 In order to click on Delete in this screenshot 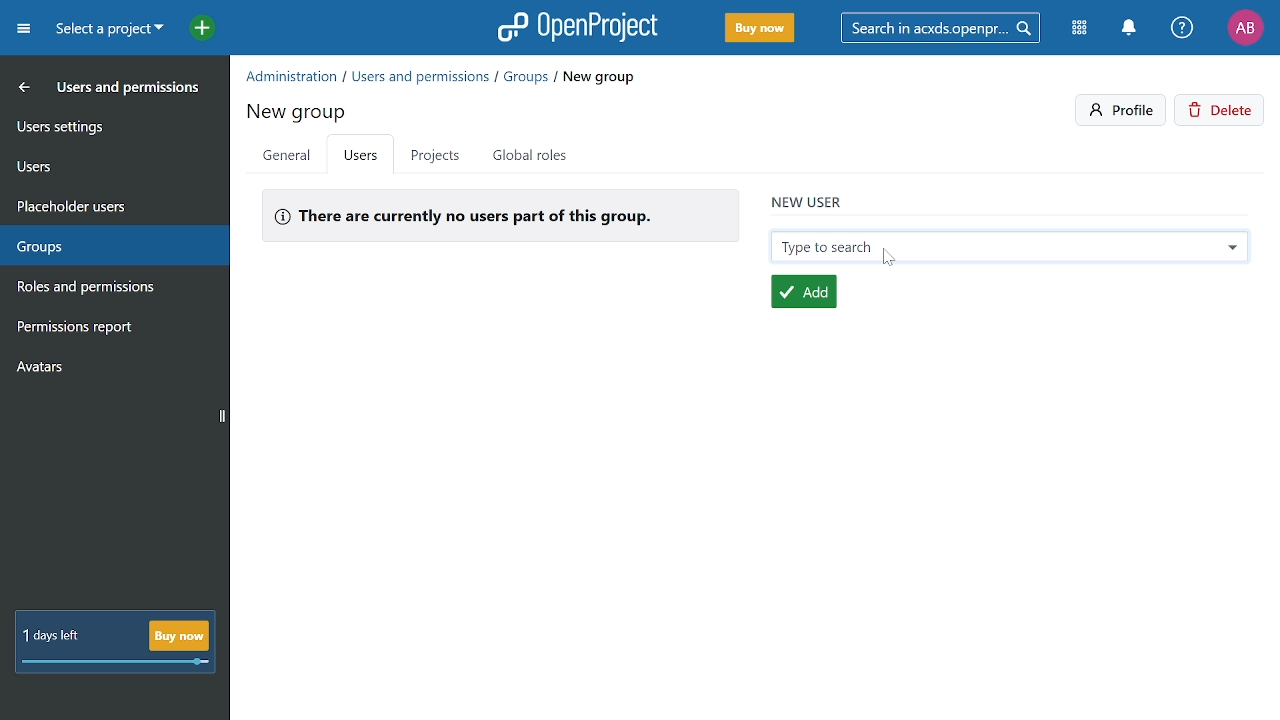, I will do `click(1222, 112)`.